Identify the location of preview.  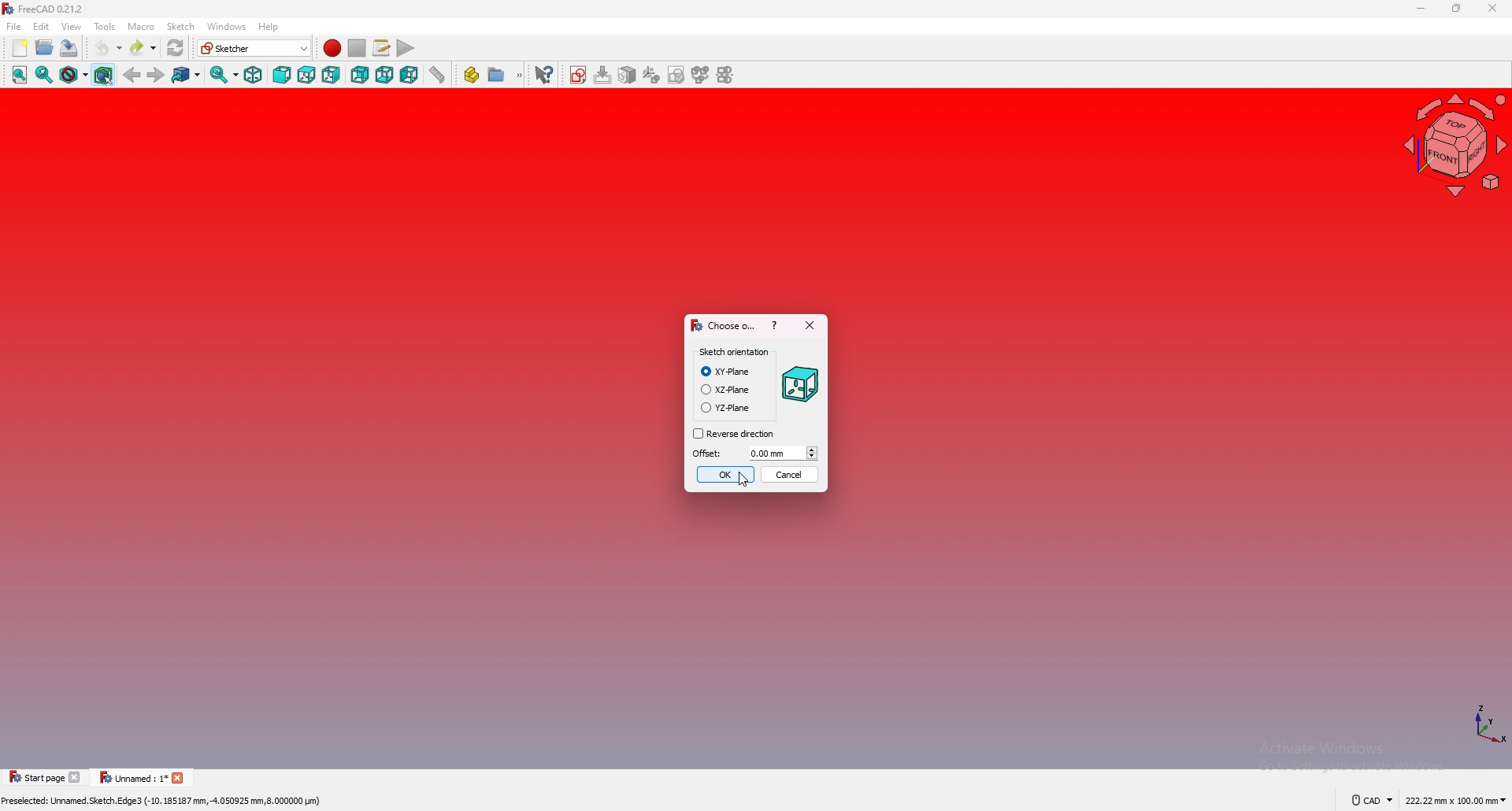
(802, 383).